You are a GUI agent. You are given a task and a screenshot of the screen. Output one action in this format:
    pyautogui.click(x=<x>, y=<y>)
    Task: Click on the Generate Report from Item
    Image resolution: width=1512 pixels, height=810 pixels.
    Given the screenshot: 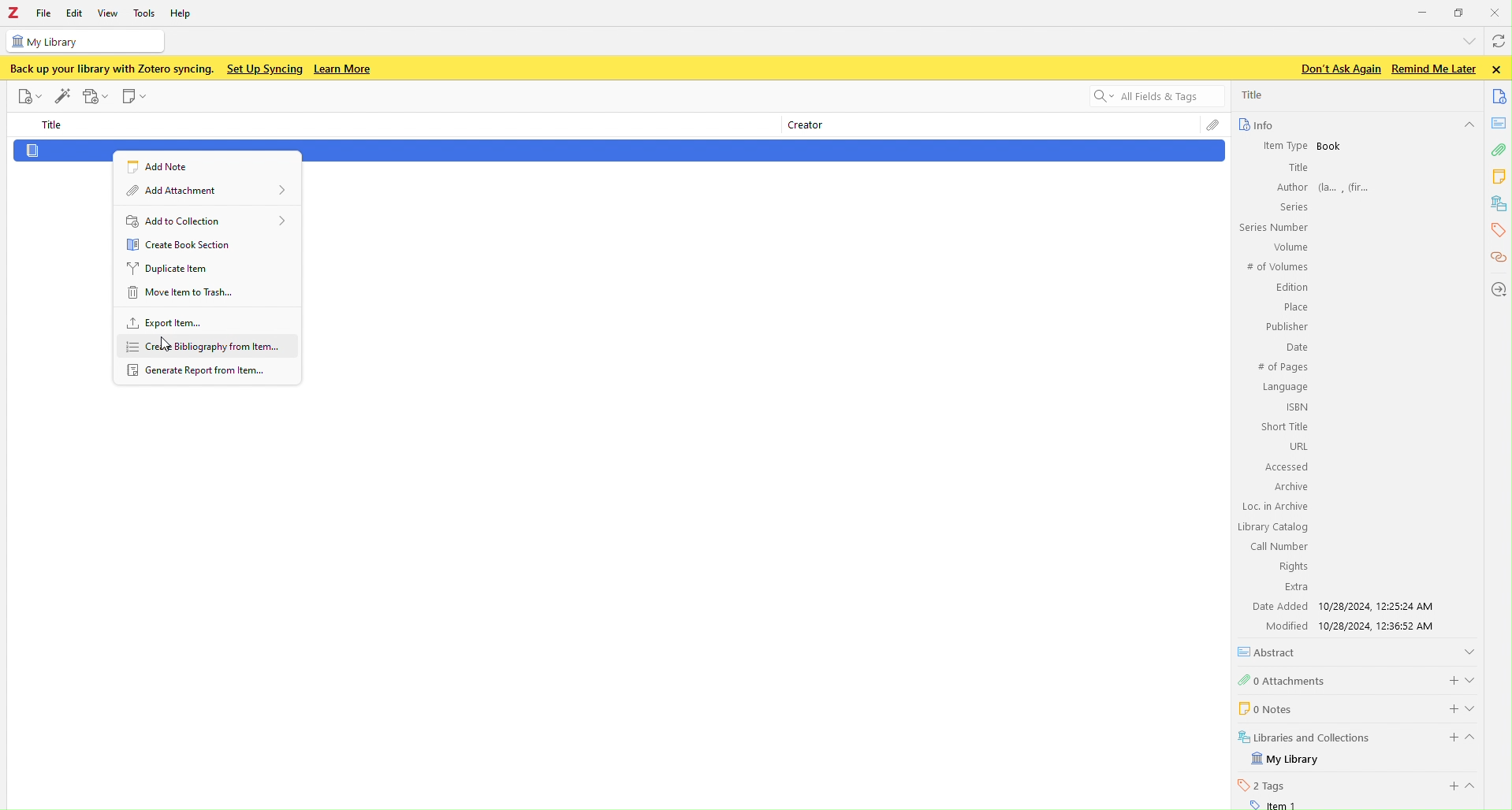 What is the action you would take?
    pyautogui.click(x=196, y=371)
    